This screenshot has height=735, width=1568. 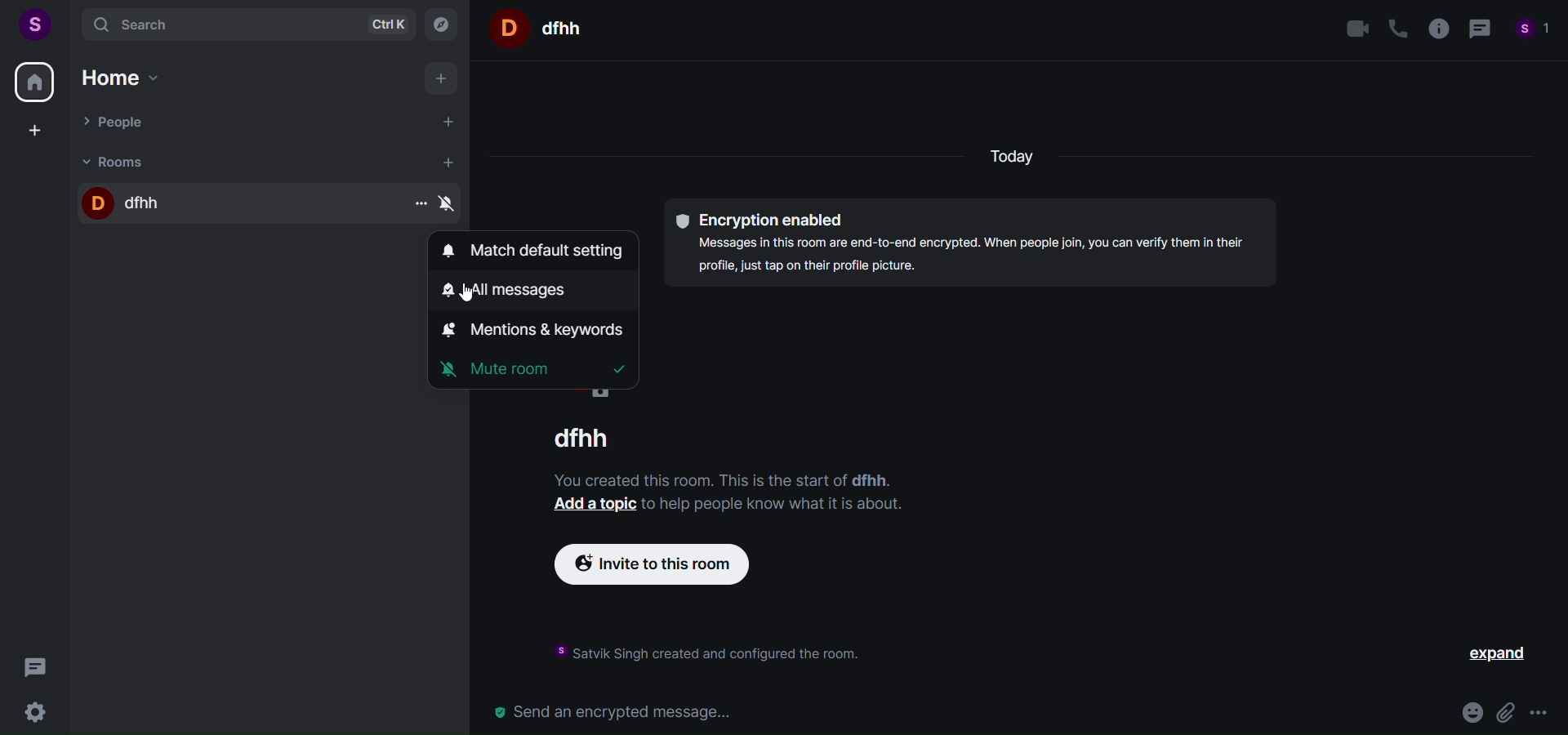 I want to click on video call, so click(x=1355, y=28).